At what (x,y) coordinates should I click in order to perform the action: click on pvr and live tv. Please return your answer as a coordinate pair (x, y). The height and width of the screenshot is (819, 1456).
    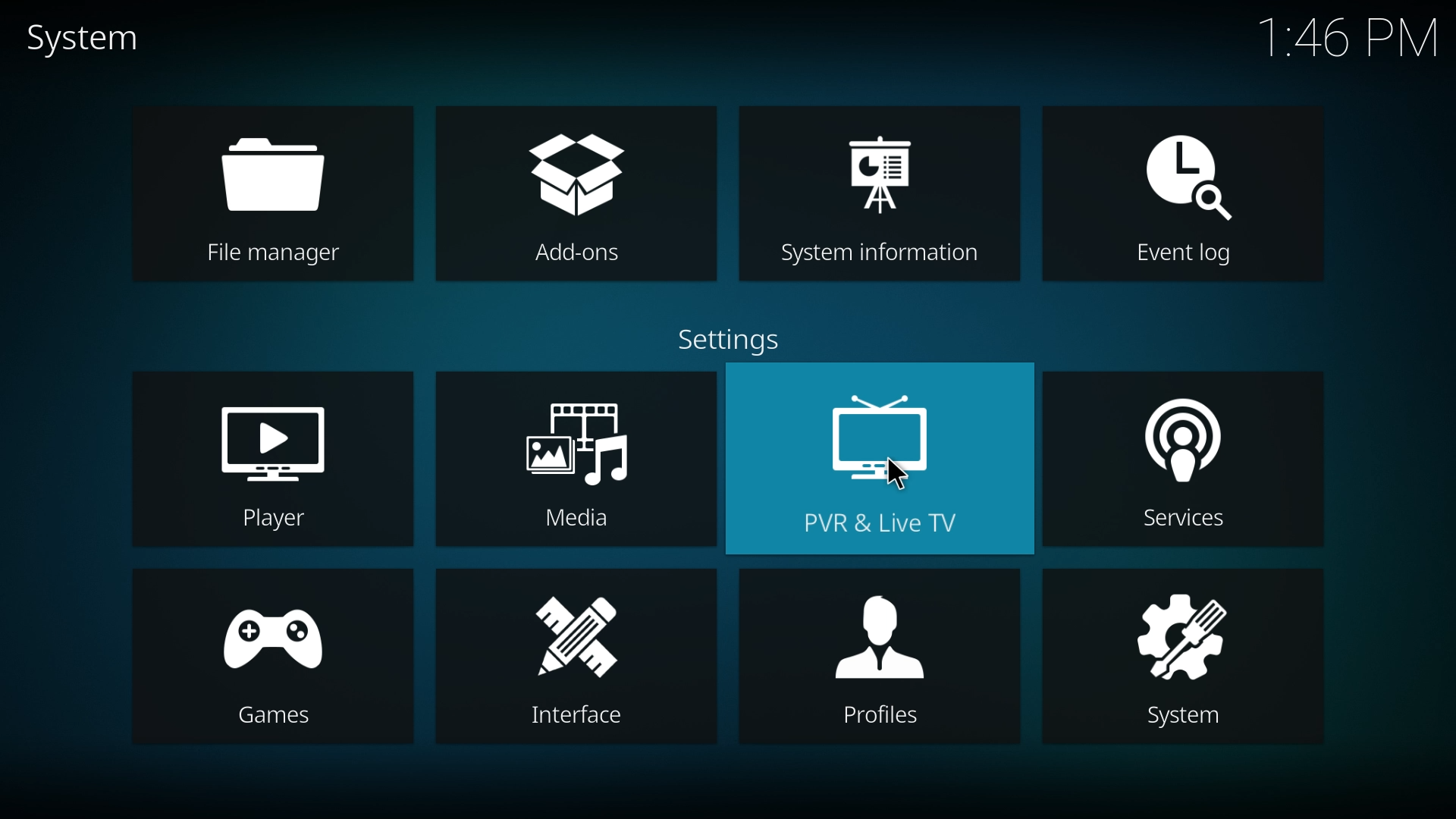
    Looking at the image, I should click on (879, 458).